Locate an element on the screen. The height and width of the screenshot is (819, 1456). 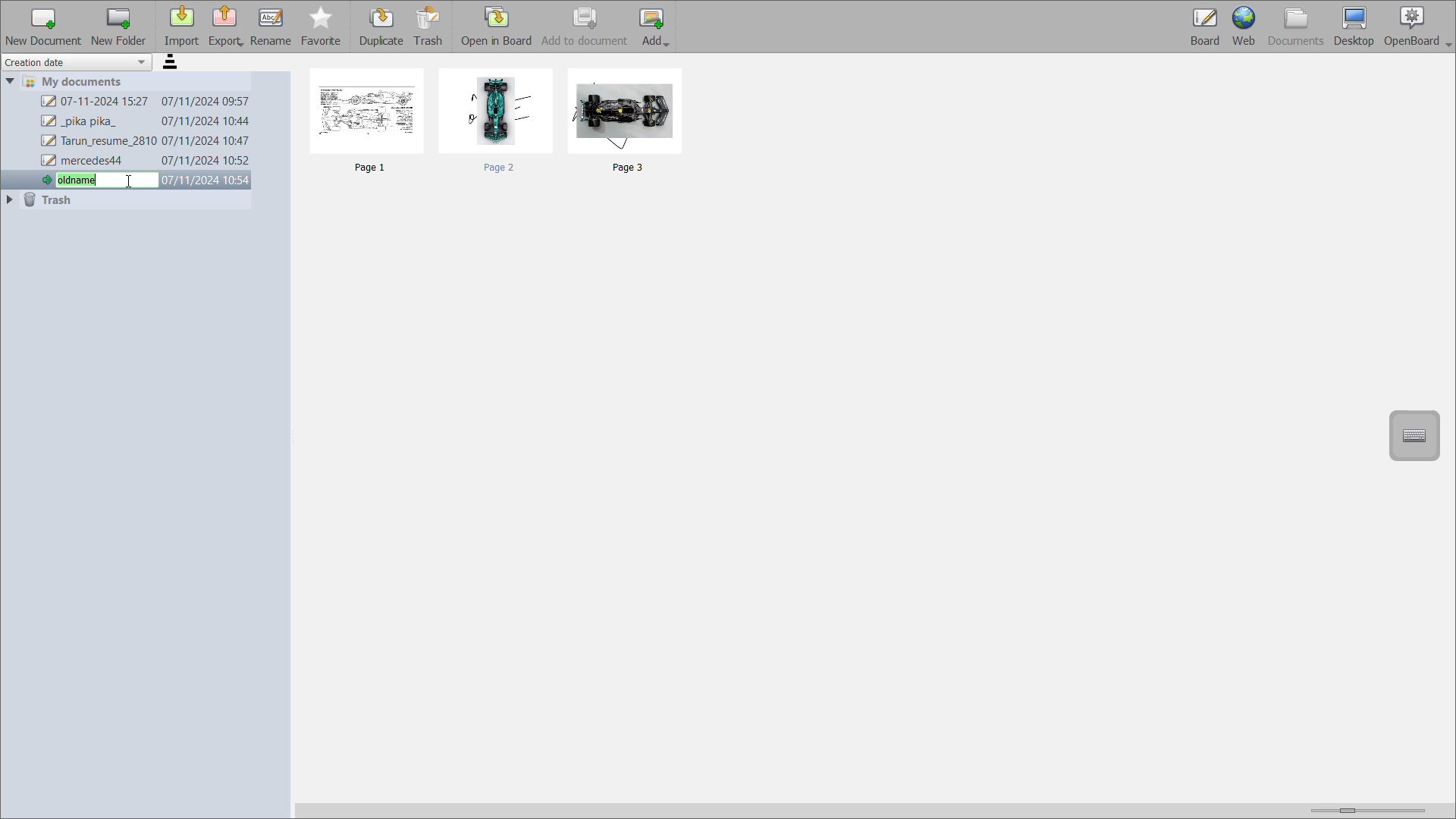
open in board is located at coordinates (499, 27).